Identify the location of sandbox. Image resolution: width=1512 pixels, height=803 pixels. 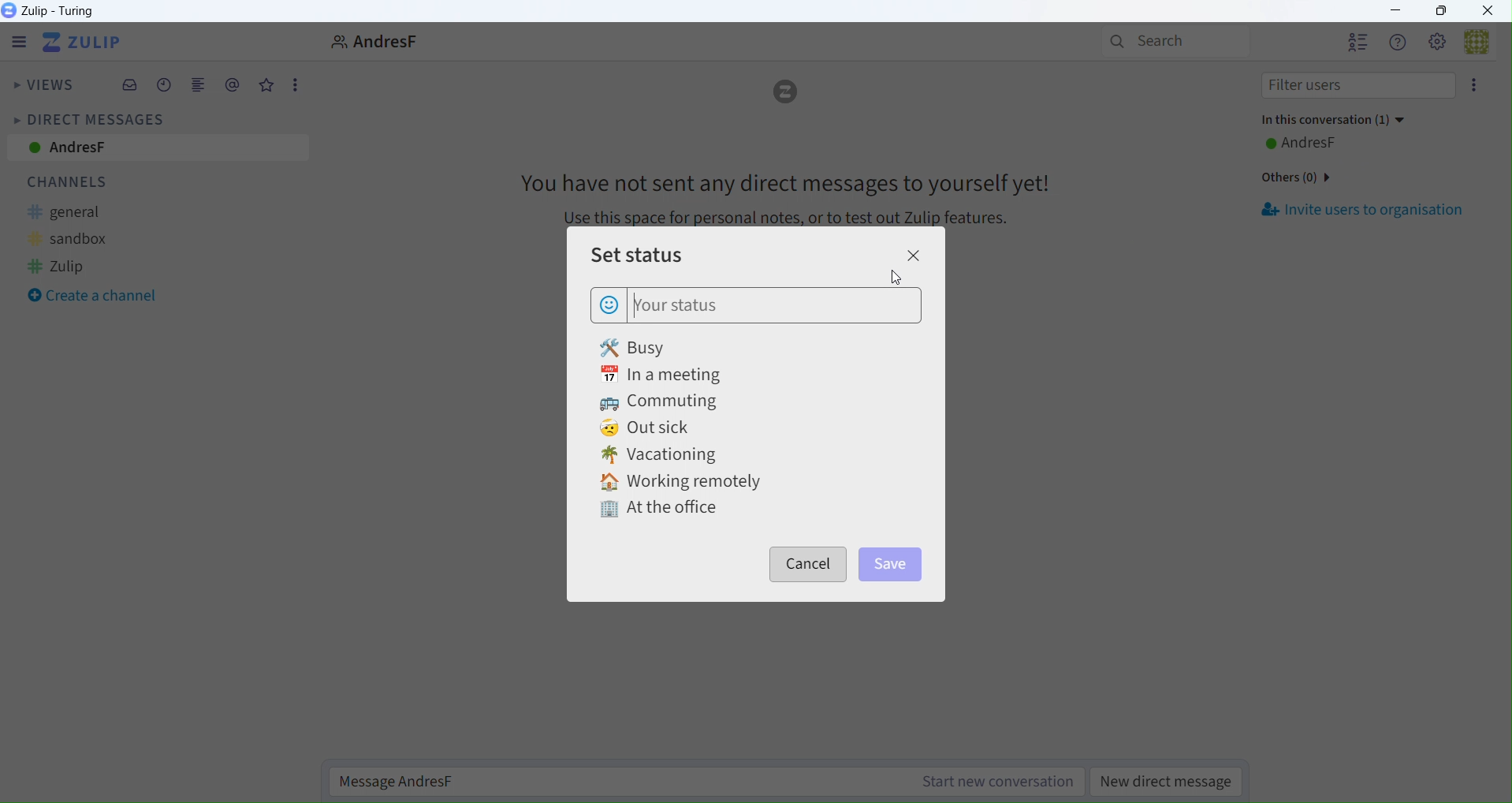
(82, 239).